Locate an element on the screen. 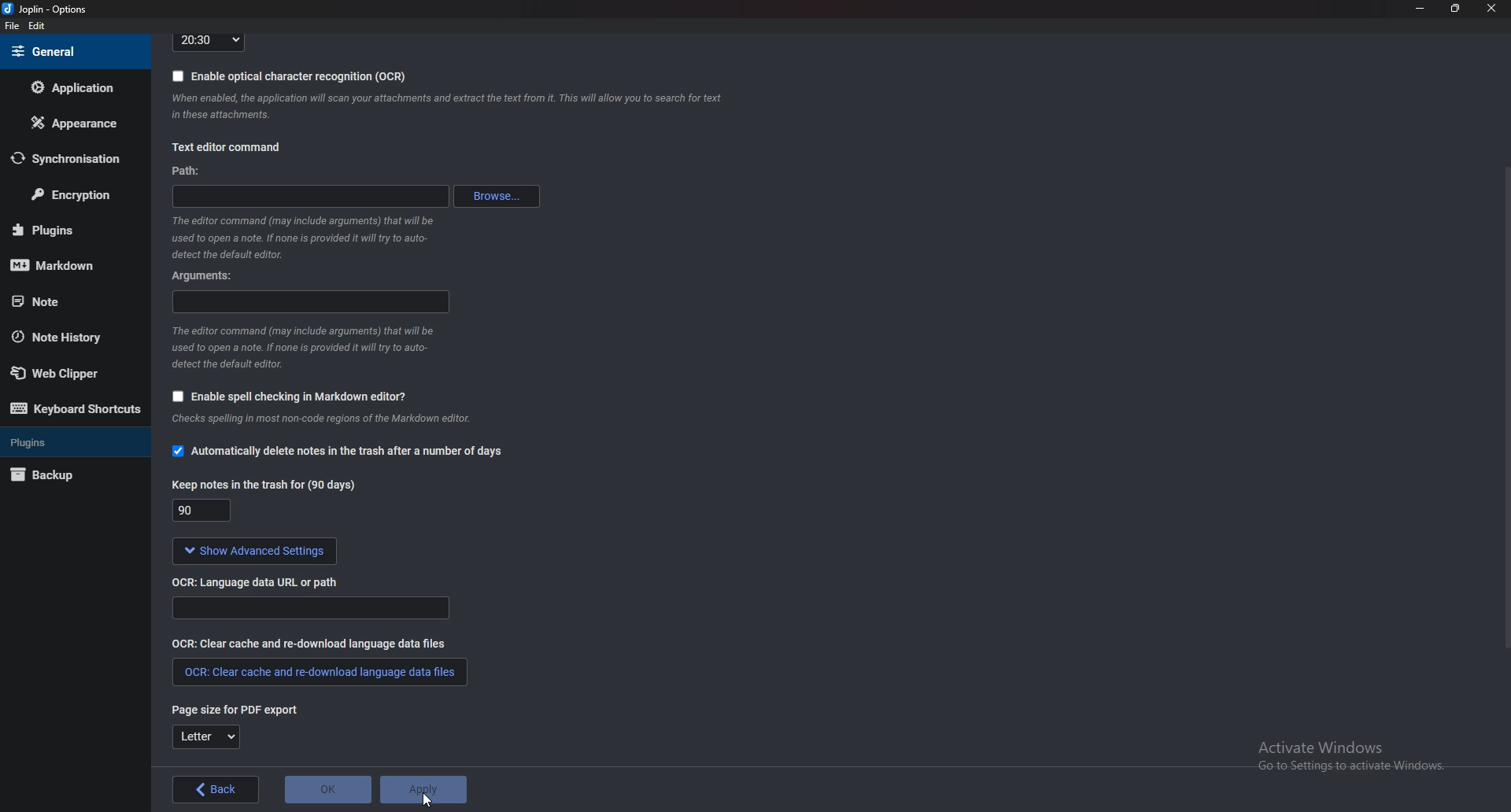 This screenshot has height=812, width=1511. plugins is located at coordinates (68, 230).